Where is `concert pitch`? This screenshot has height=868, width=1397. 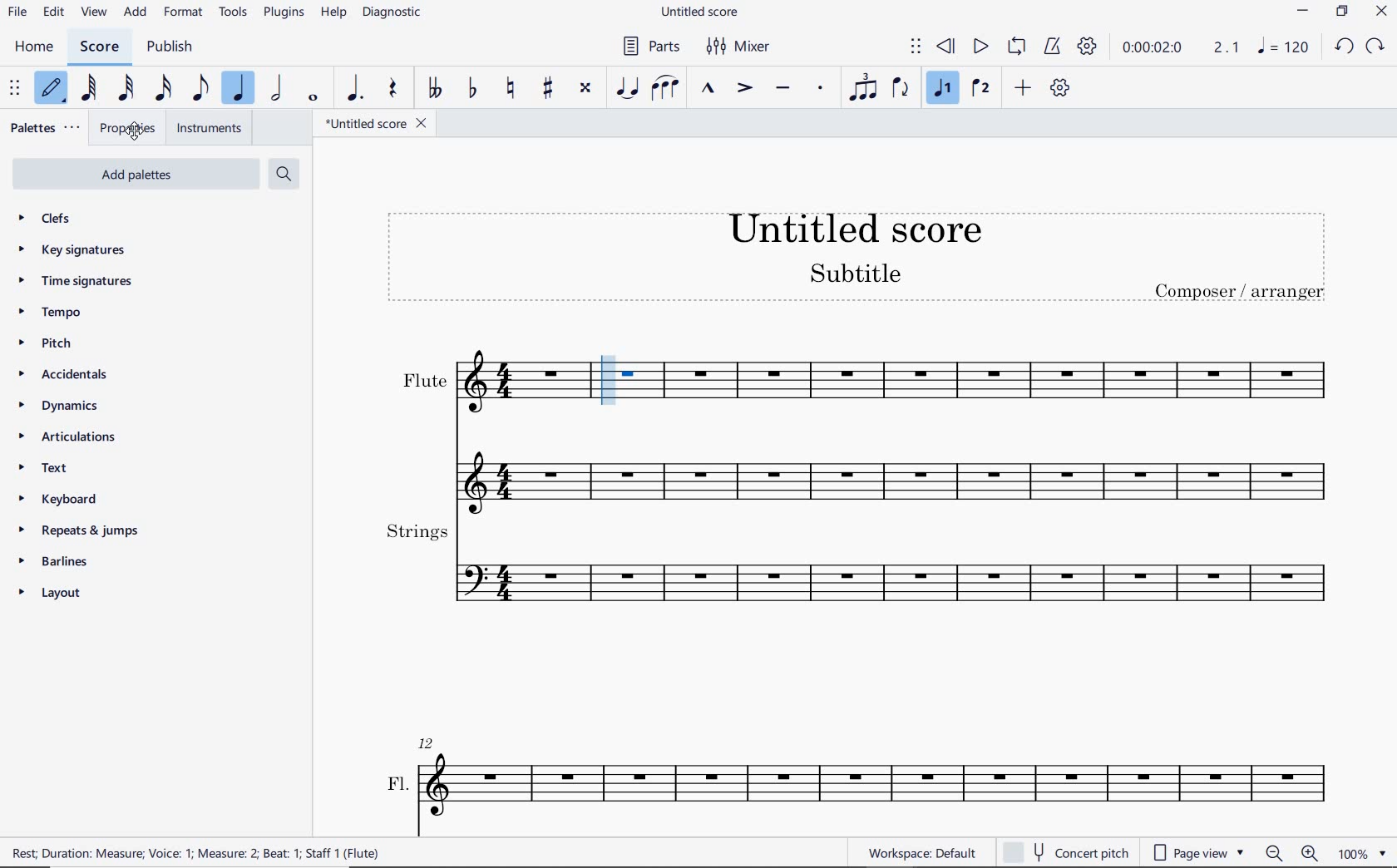
concert pitch is located at coordinates (1065, 850).